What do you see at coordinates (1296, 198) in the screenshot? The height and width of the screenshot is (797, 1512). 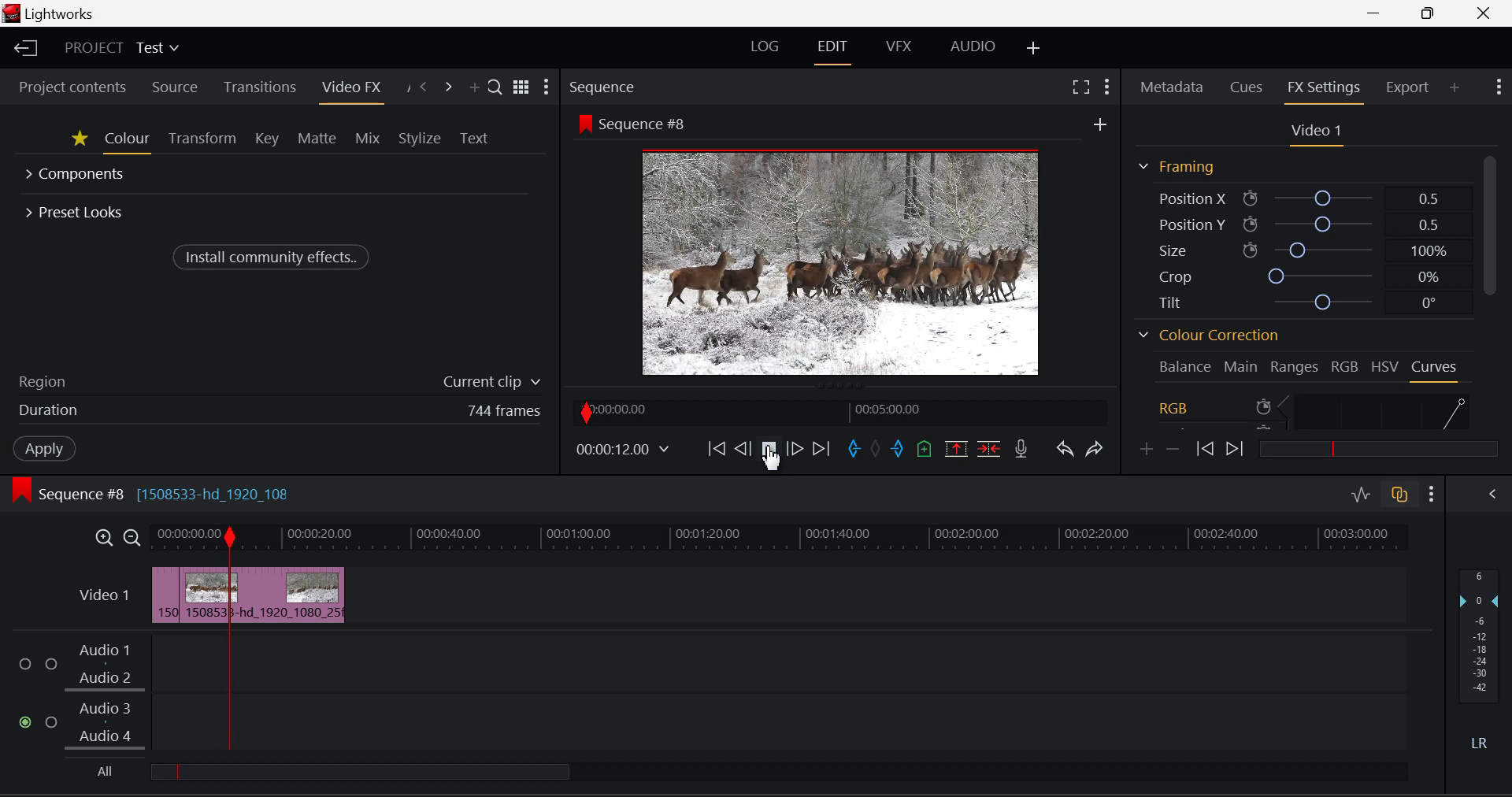 I see `Position X` at bounding box center [1296, 198].